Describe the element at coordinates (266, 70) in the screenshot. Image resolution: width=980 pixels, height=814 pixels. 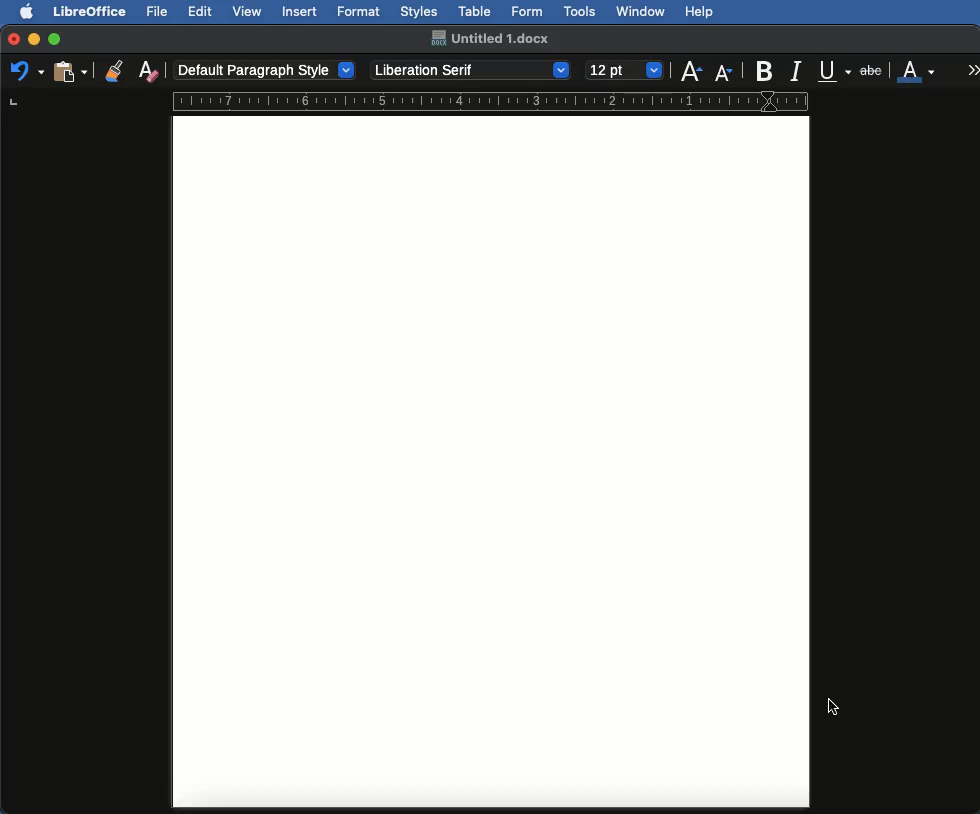
I see `Paragraph style` at that location.